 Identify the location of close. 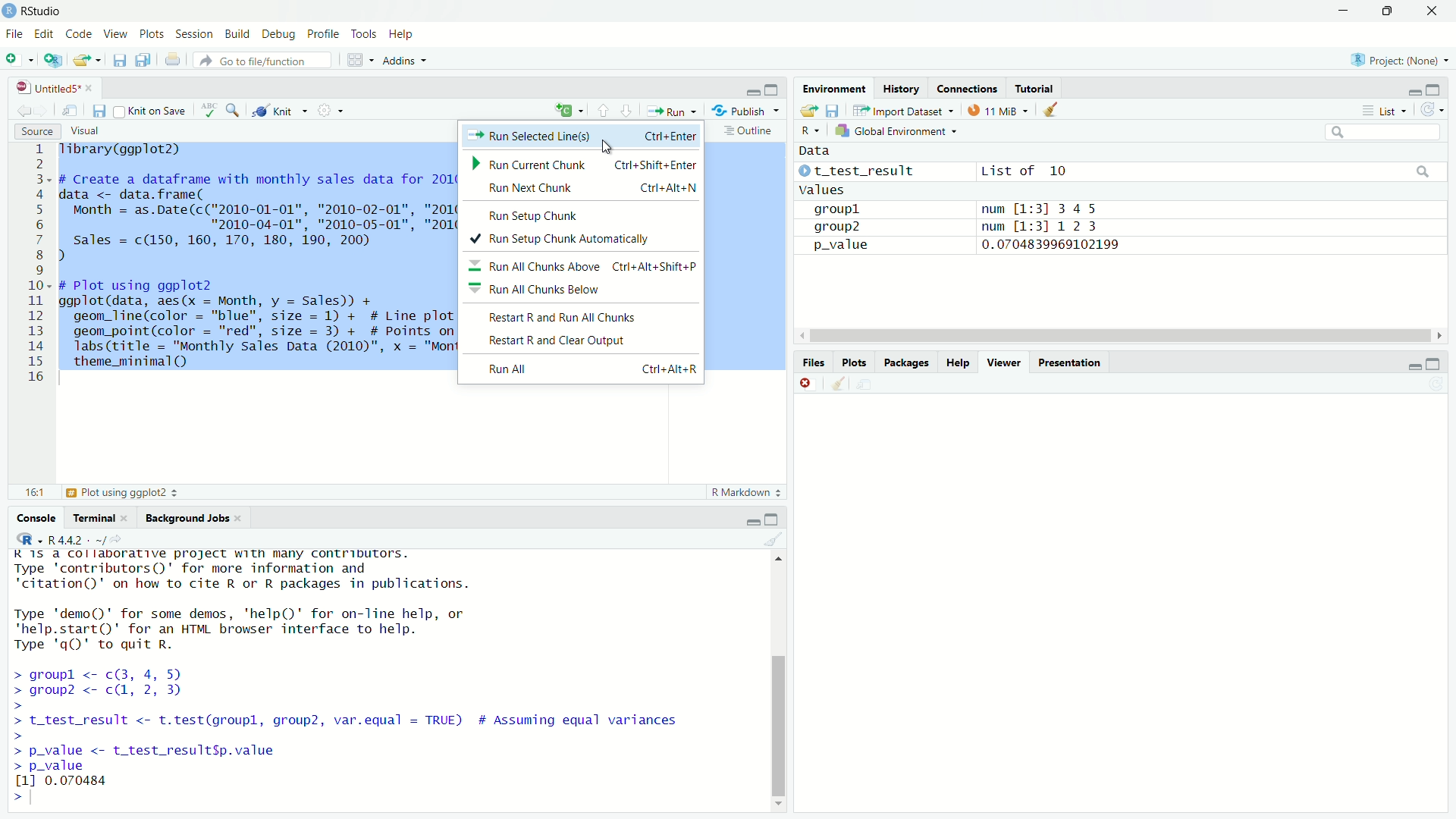
(1429, 14).